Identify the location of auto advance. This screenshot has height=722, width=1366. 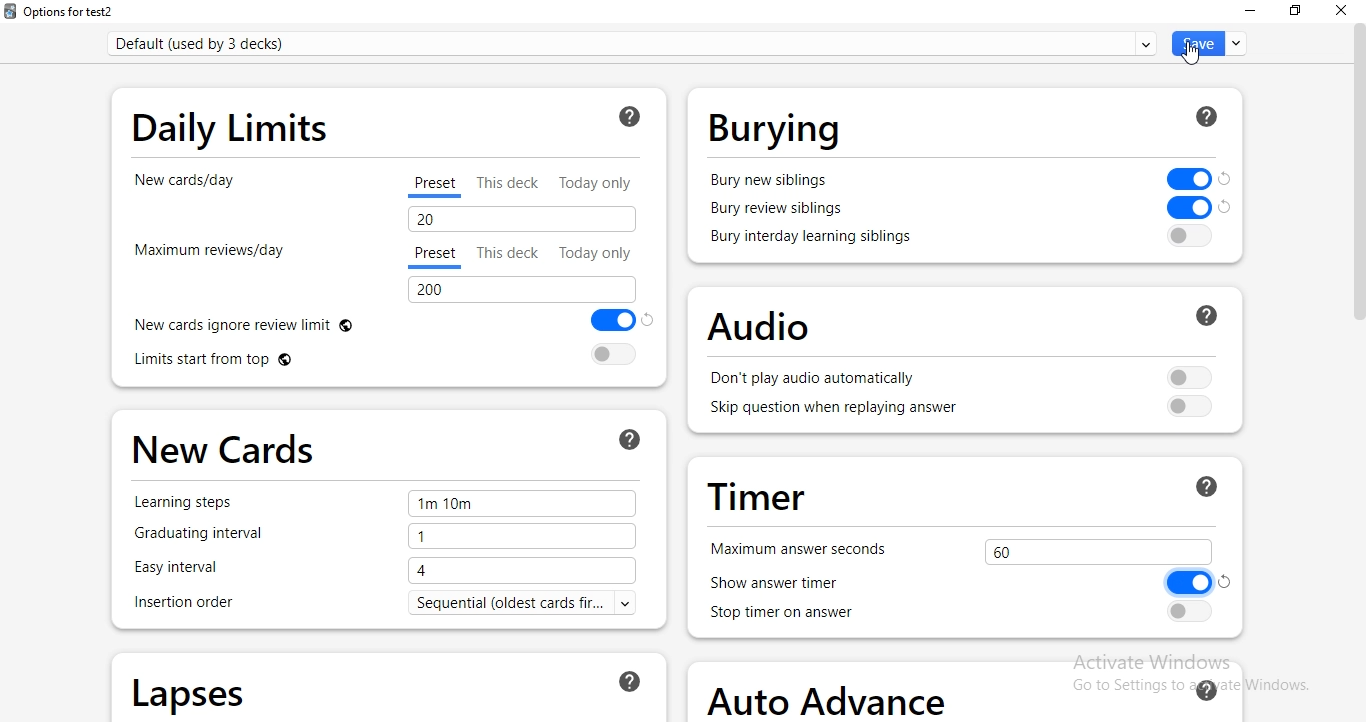
(971, 693).